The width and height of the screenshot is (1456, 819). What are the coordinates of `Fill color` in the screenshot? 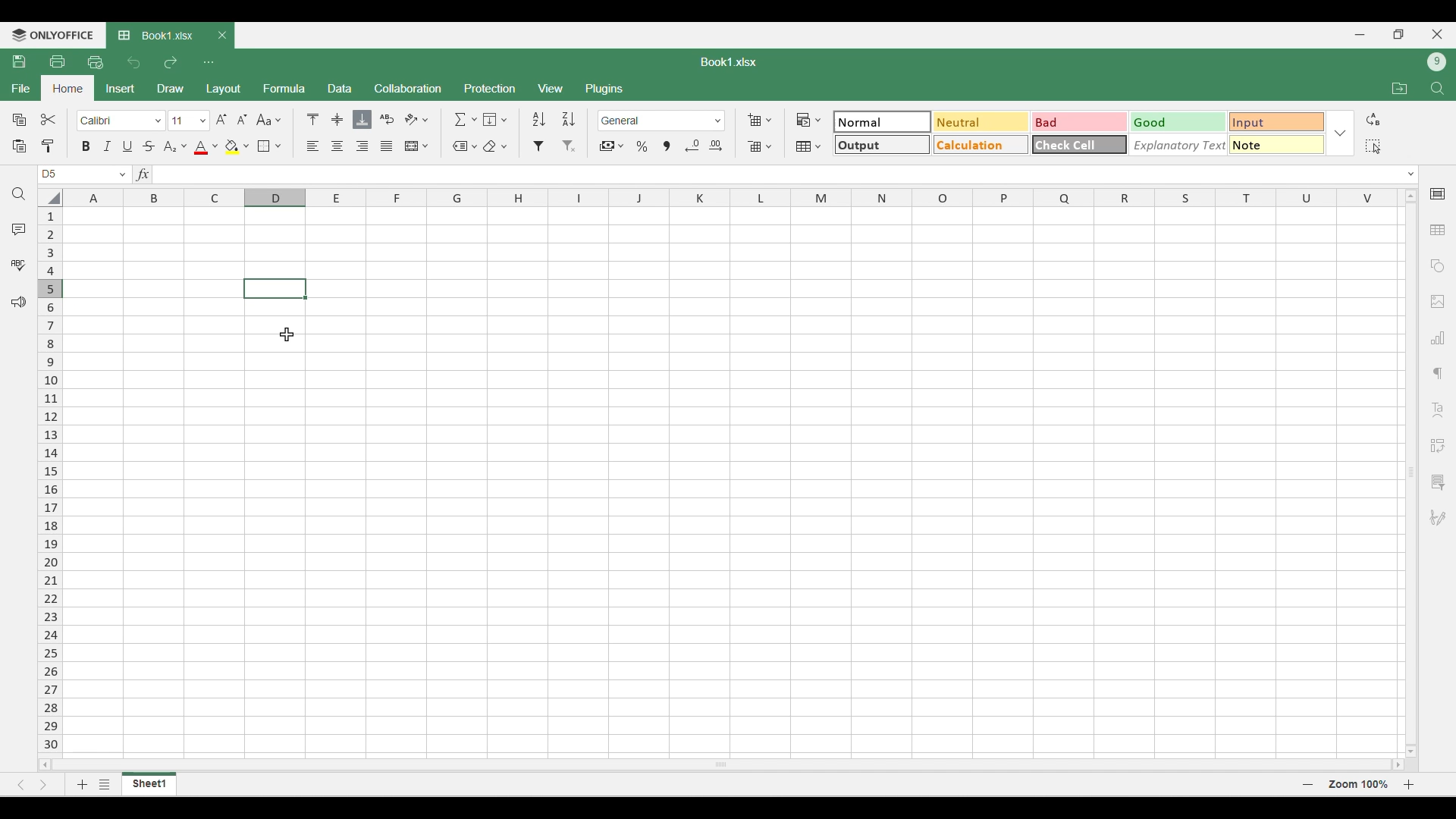 It's located at (237, 147).